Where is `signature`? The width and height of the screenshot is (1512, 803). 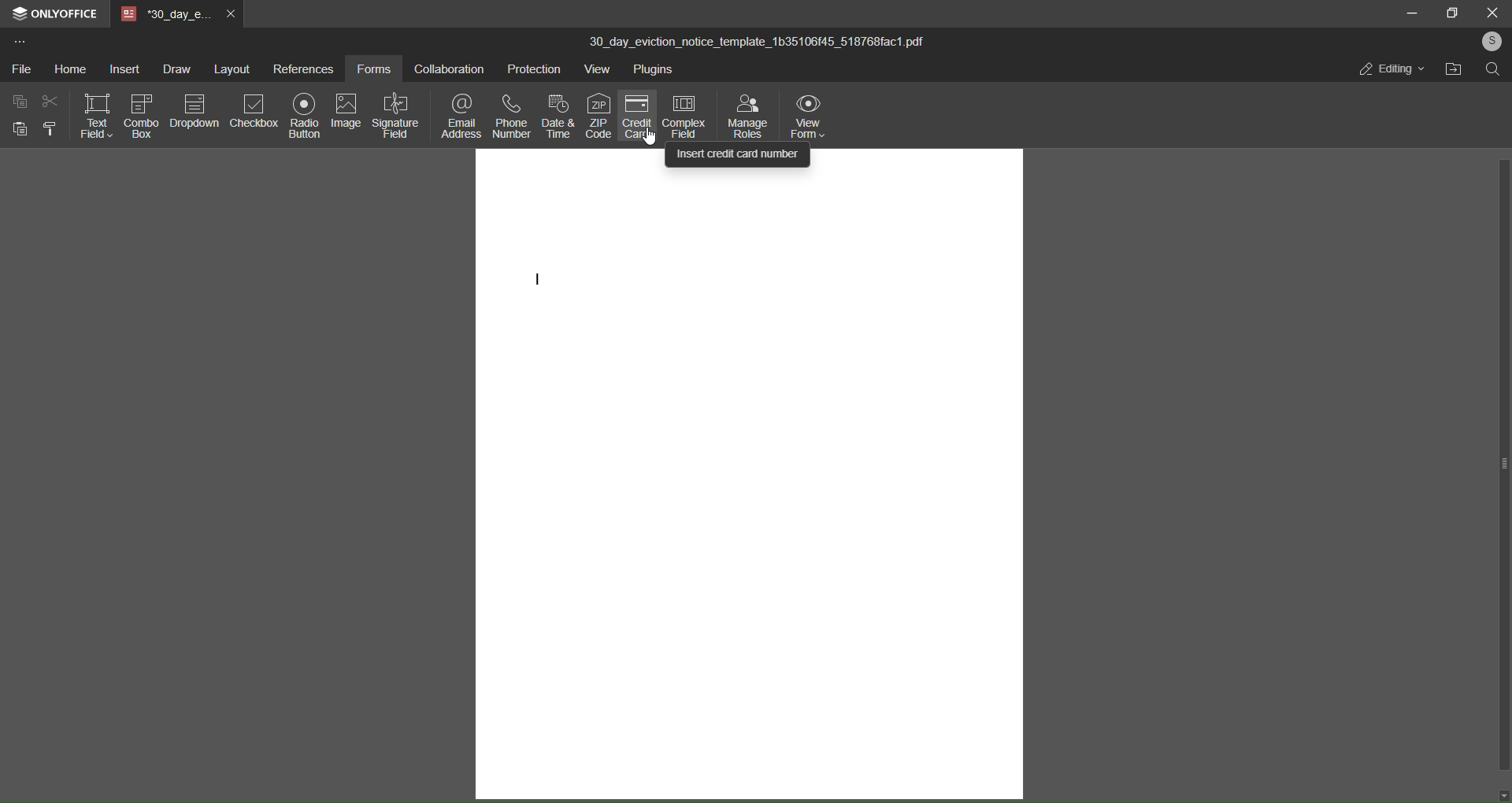 signature is located at coordinates (395, 116).